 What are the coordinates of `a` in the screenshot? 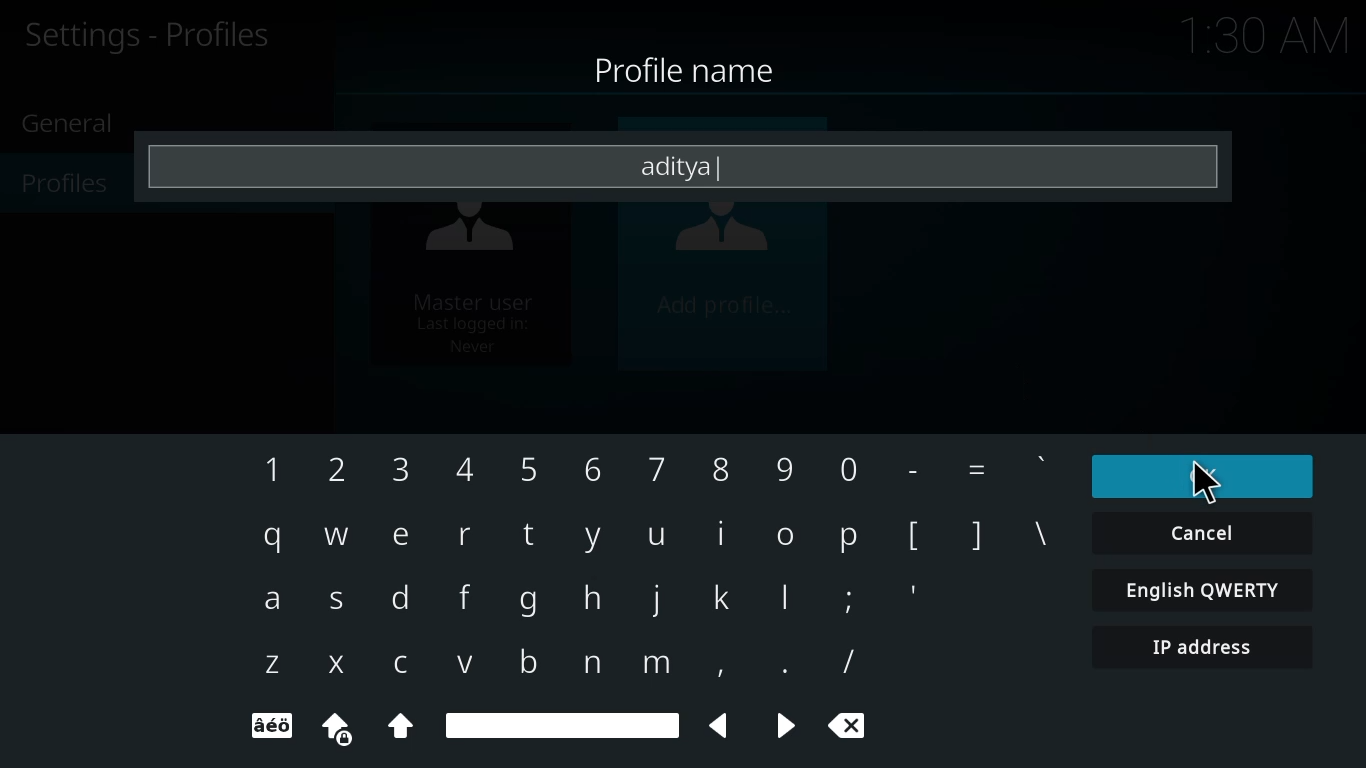 It's located at (269, 604).